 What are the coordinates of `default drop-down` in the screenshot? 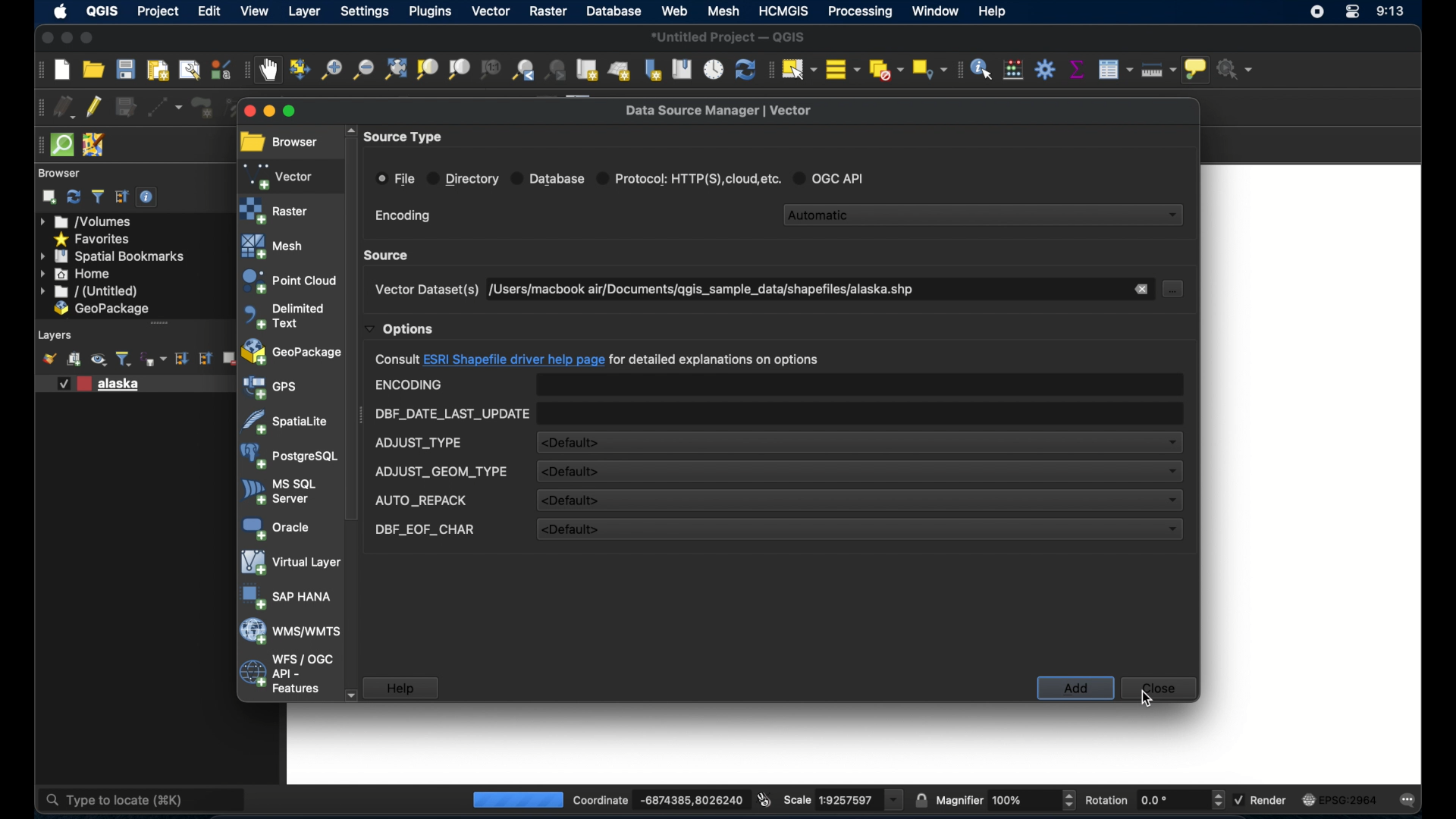 It's located at (858, 530).